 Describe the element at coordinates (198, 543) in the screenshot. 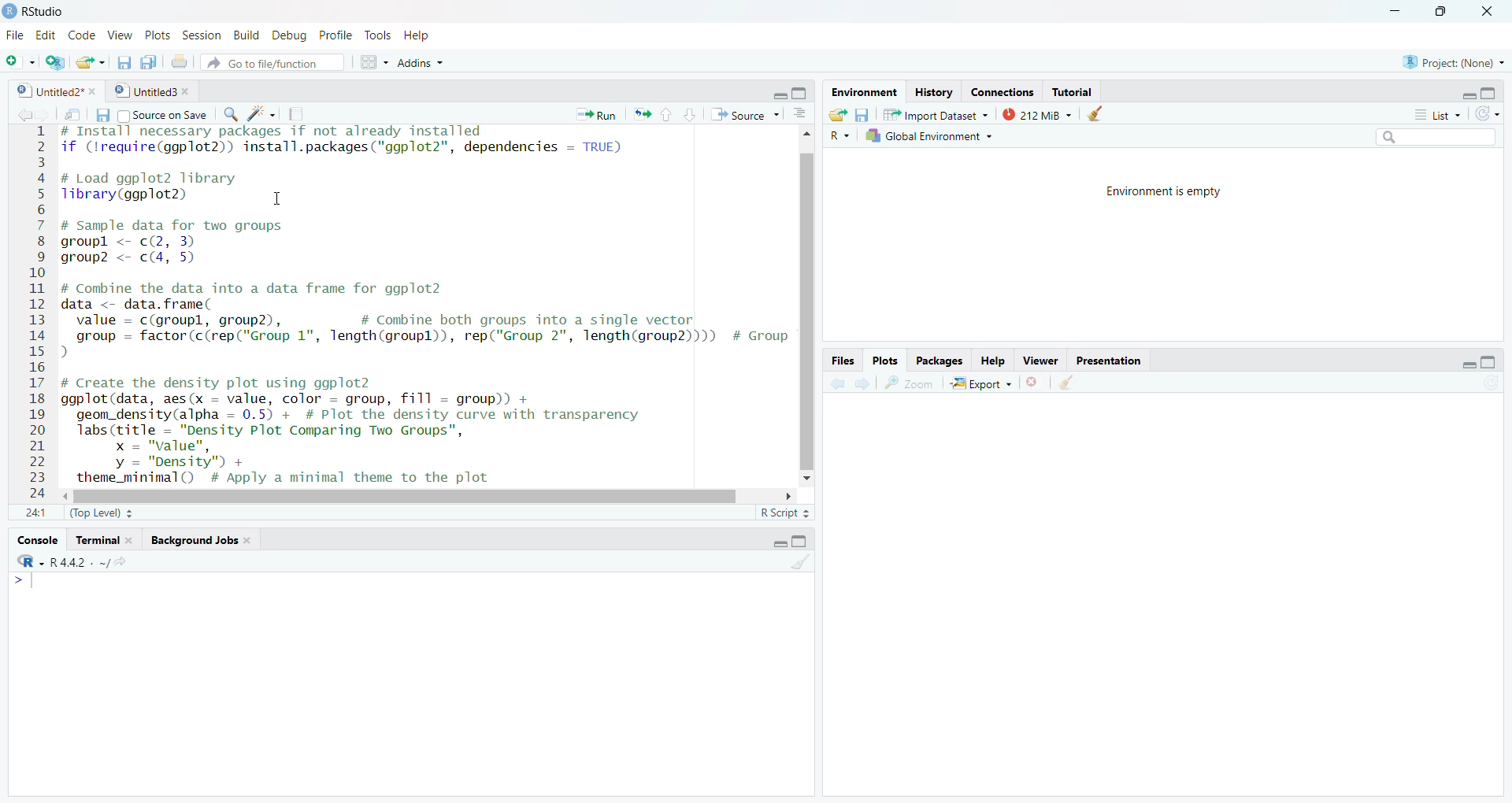

I see `background jobs` at that location.